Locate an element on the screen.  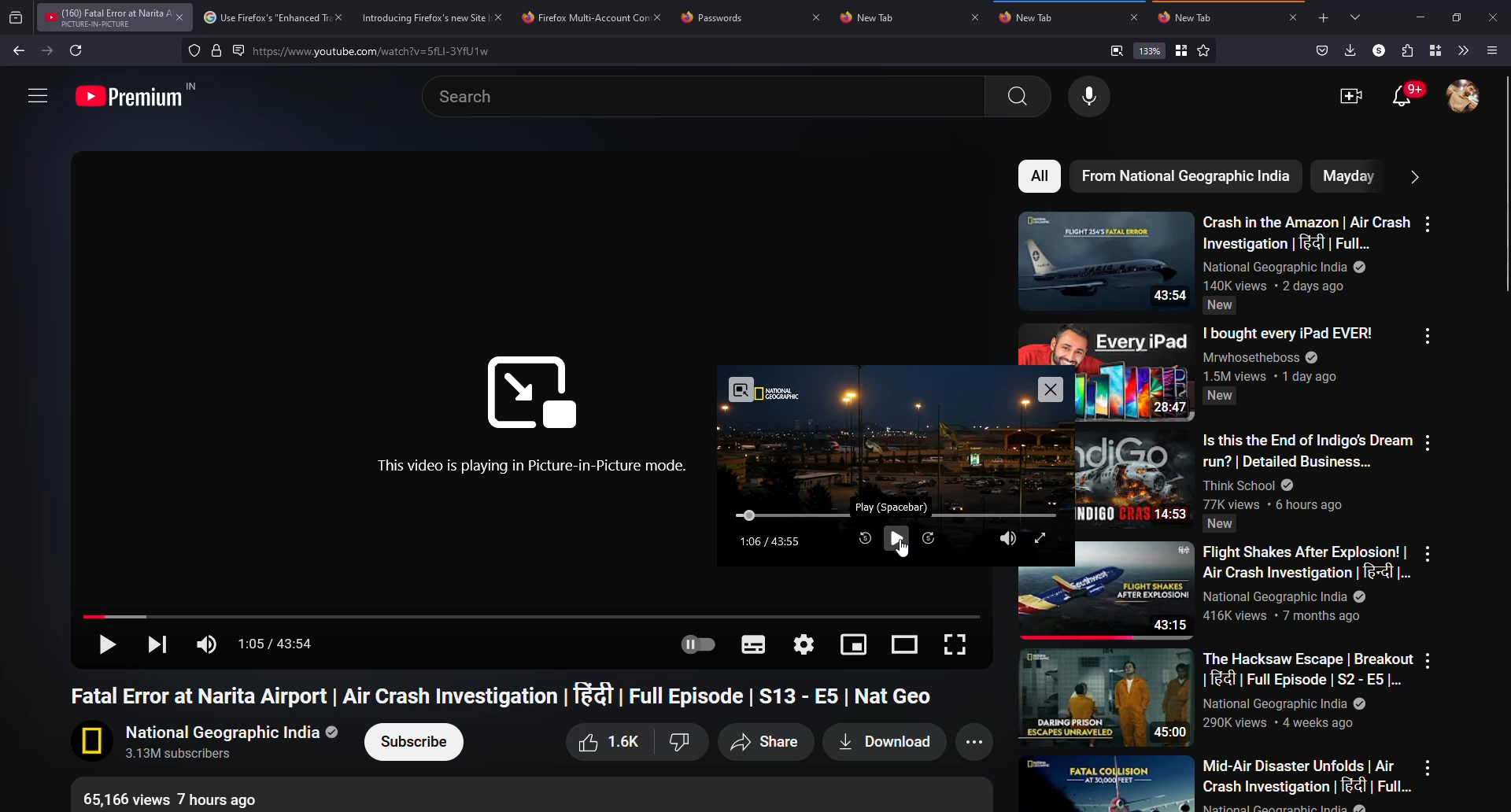
move is located at coordinates (749, 515).